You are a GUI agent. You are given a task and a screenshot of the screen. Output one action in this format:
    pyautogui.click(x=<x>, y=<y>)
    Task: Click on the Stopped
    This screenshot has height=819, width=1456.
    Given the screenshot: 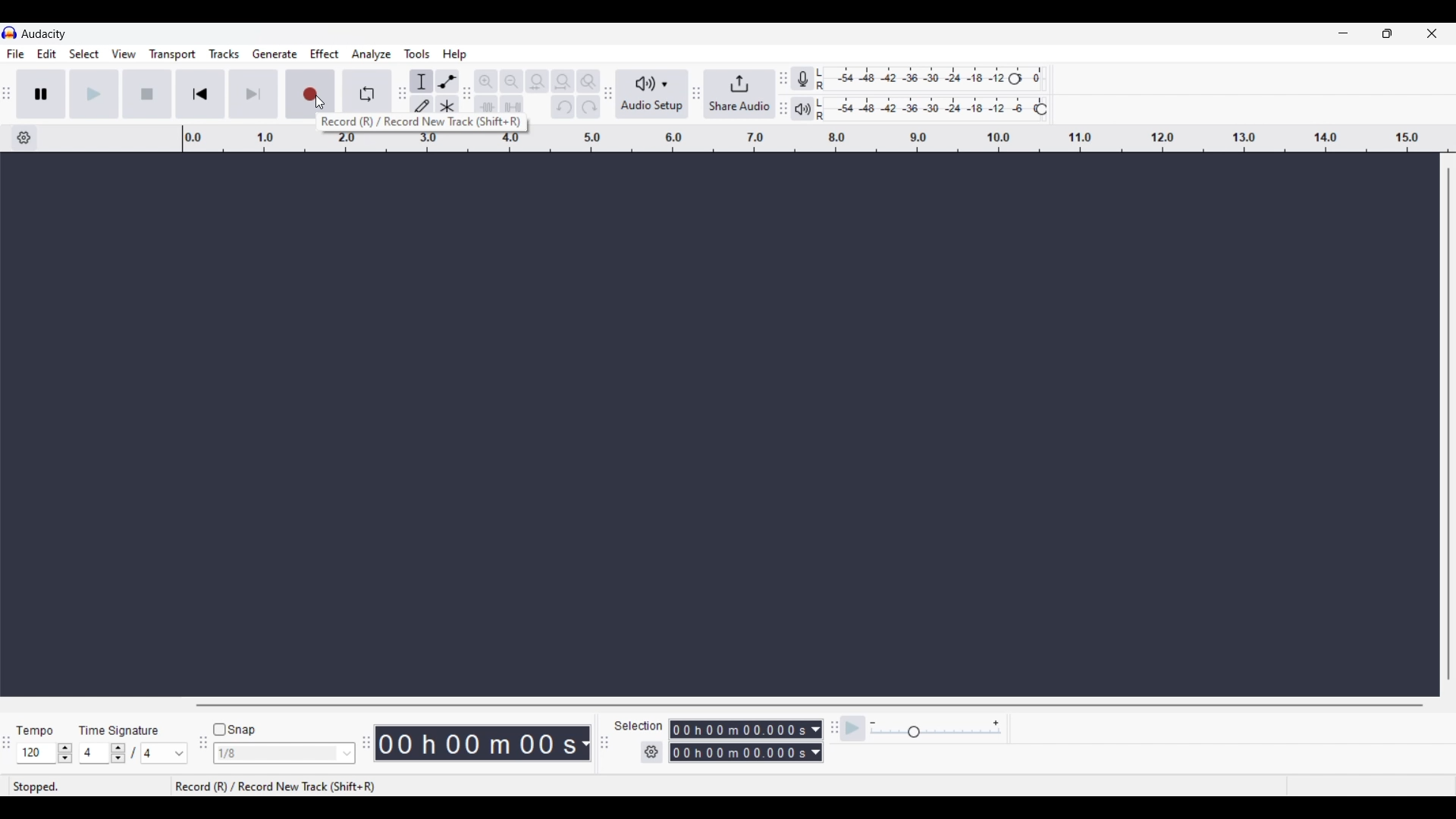 What is the action you would take?
    pyautogui.click(x=89, y=786)
    